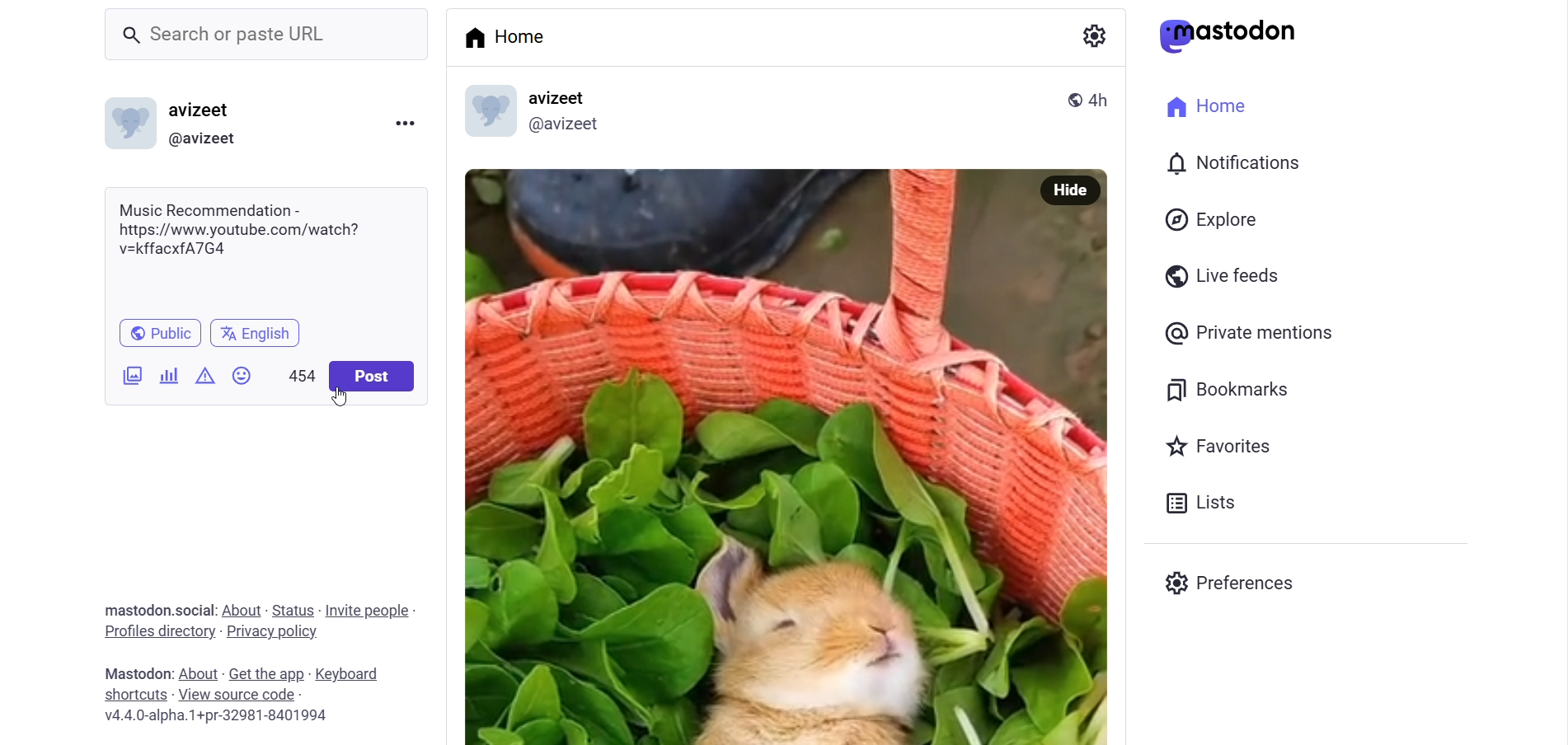 This screenshot has width=1568, height=745. Describe the element at coordinates (293, 370) in the screenshot. I see `454` at that location.